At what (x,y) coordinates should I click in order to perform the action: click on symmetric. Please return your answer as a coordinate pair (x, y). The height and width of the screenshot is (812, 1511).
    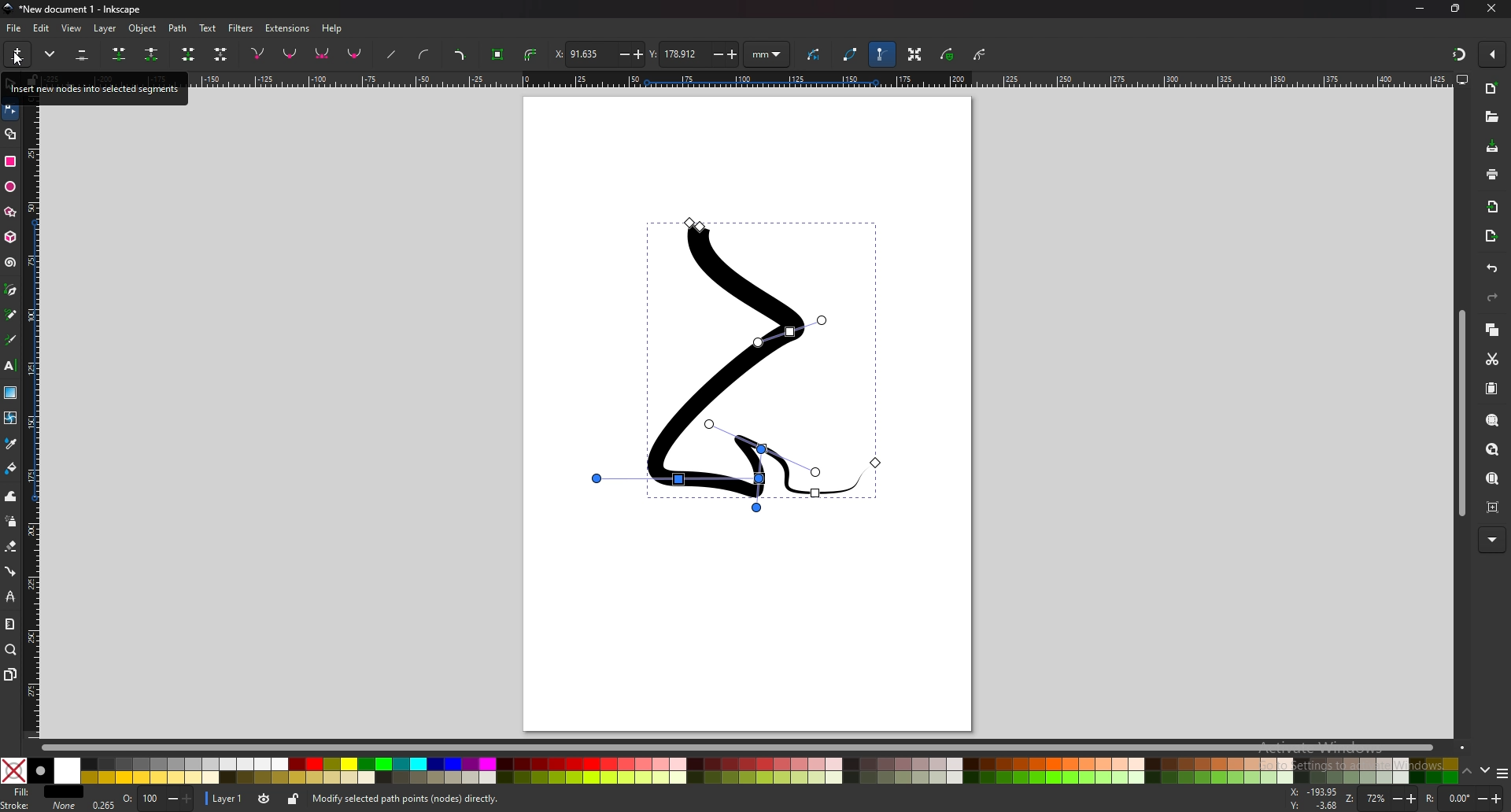
    Looking at the image, I should click on (323, 54).